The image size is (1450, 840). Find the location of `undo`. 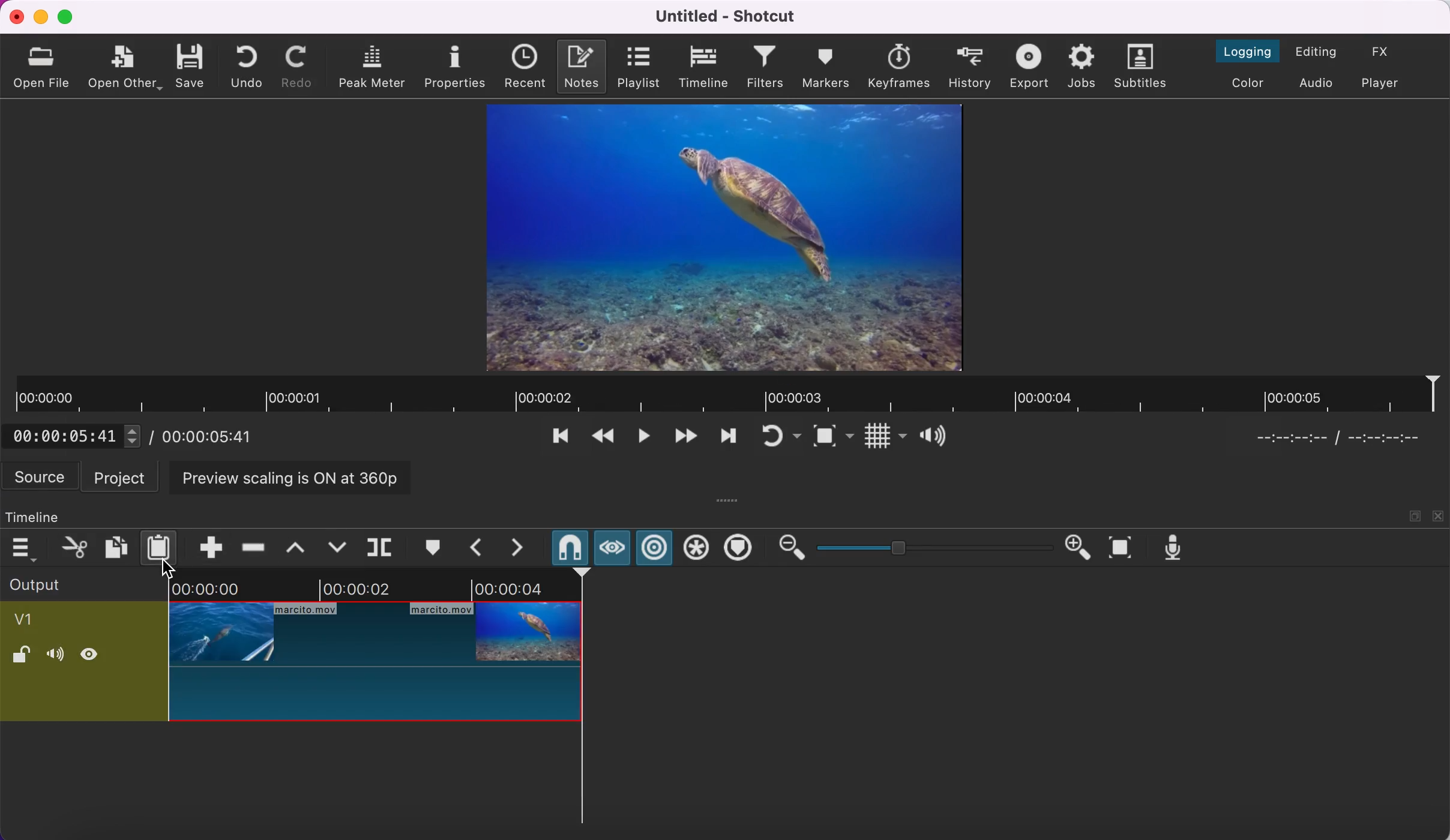

undo is located at coordinates (249, 65).